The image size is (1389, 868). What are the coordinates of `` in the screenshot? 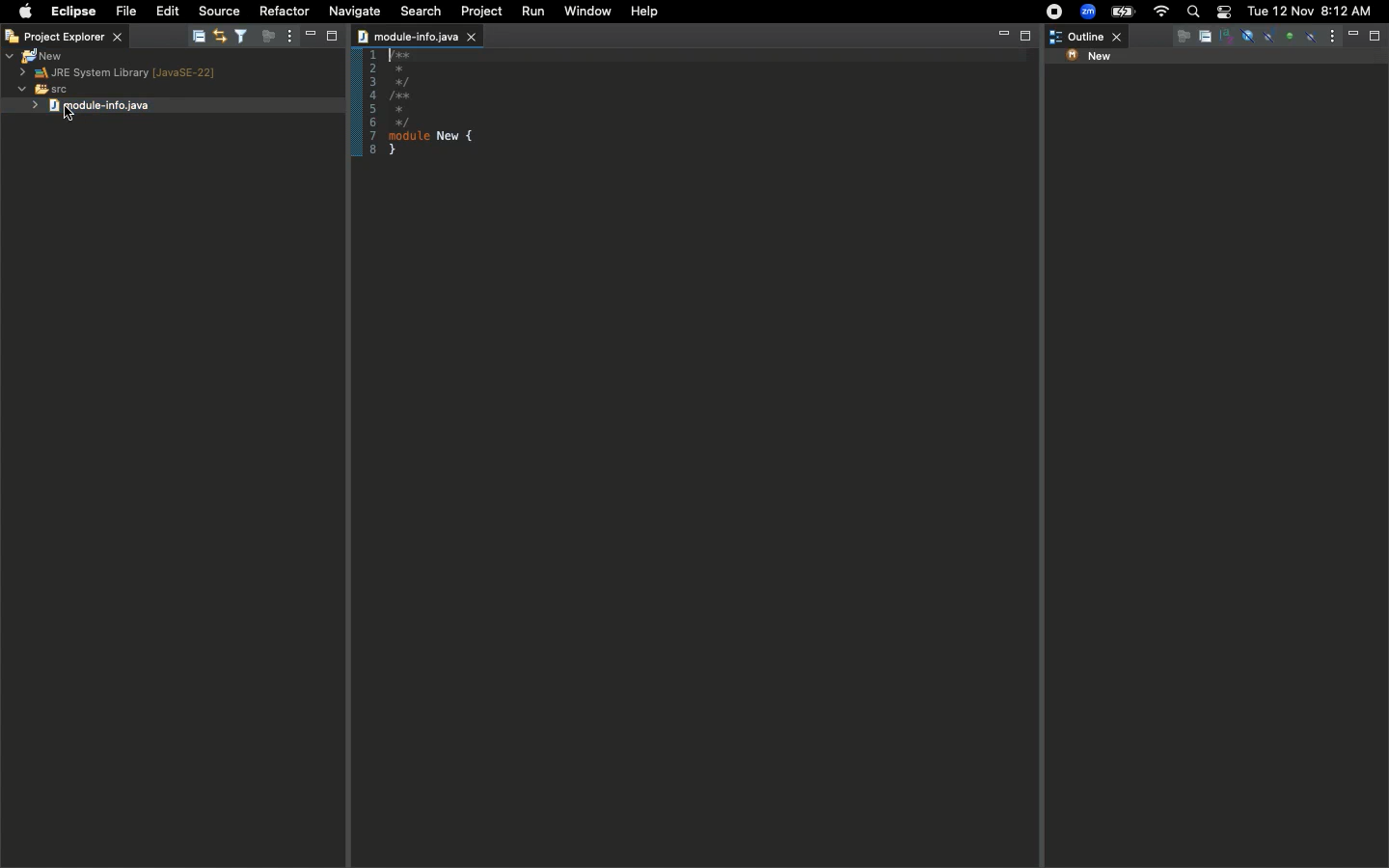 It's located at (1269, 35).